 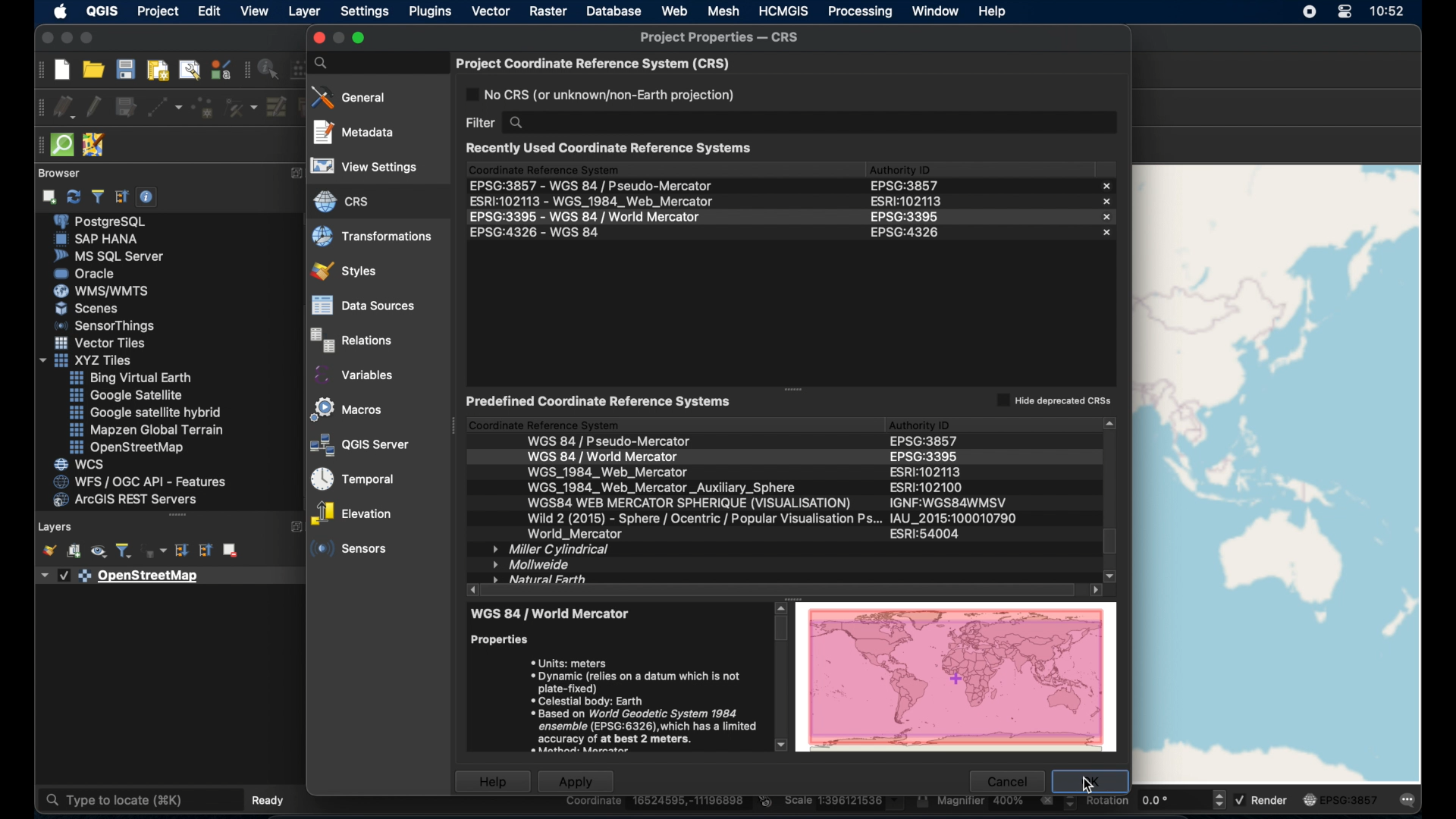 I want to click on wfs/ogc api - features, so click(x=140, y=482).